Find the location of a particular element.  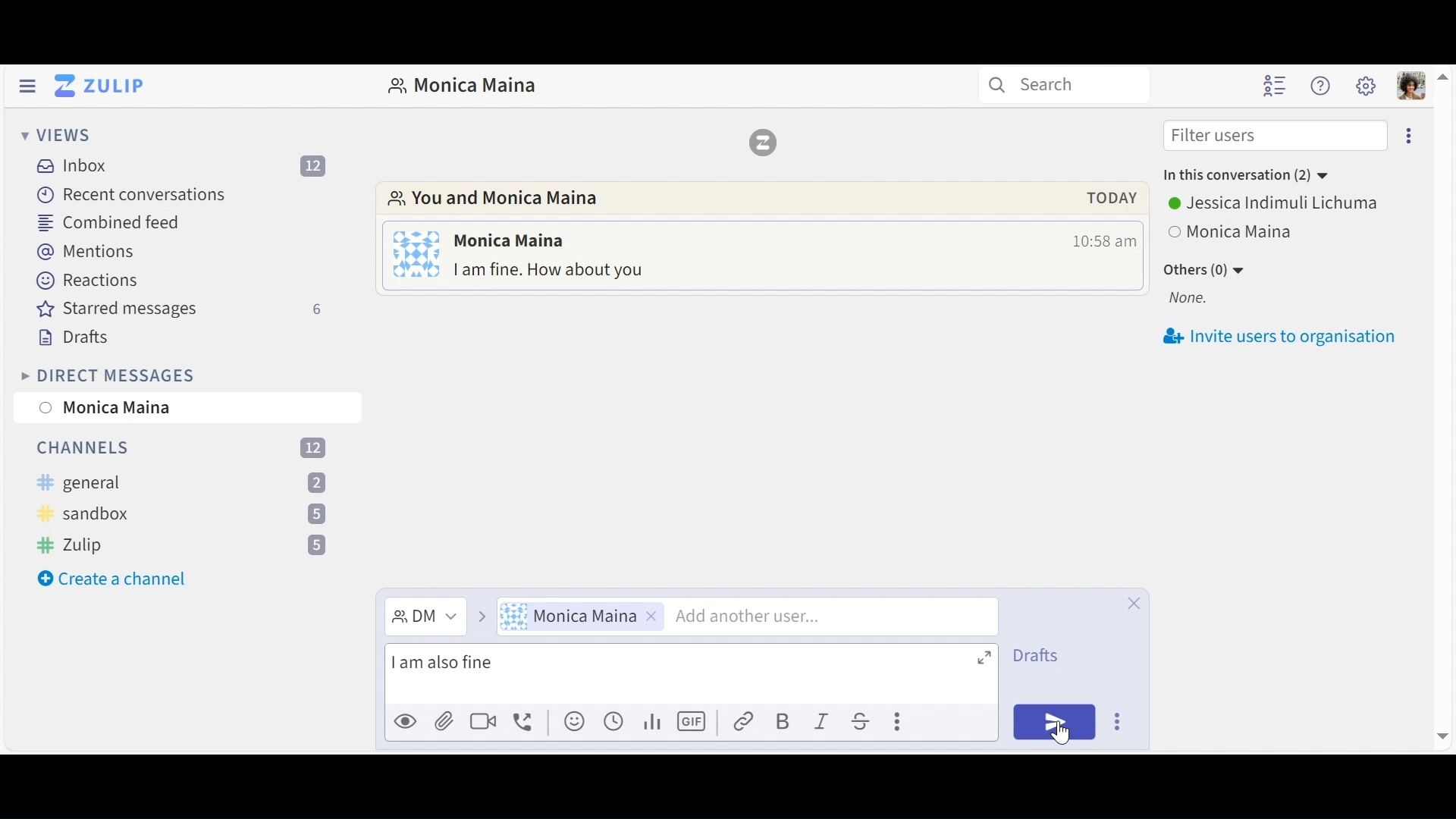

Help user is located at coordinates (1321, 85).